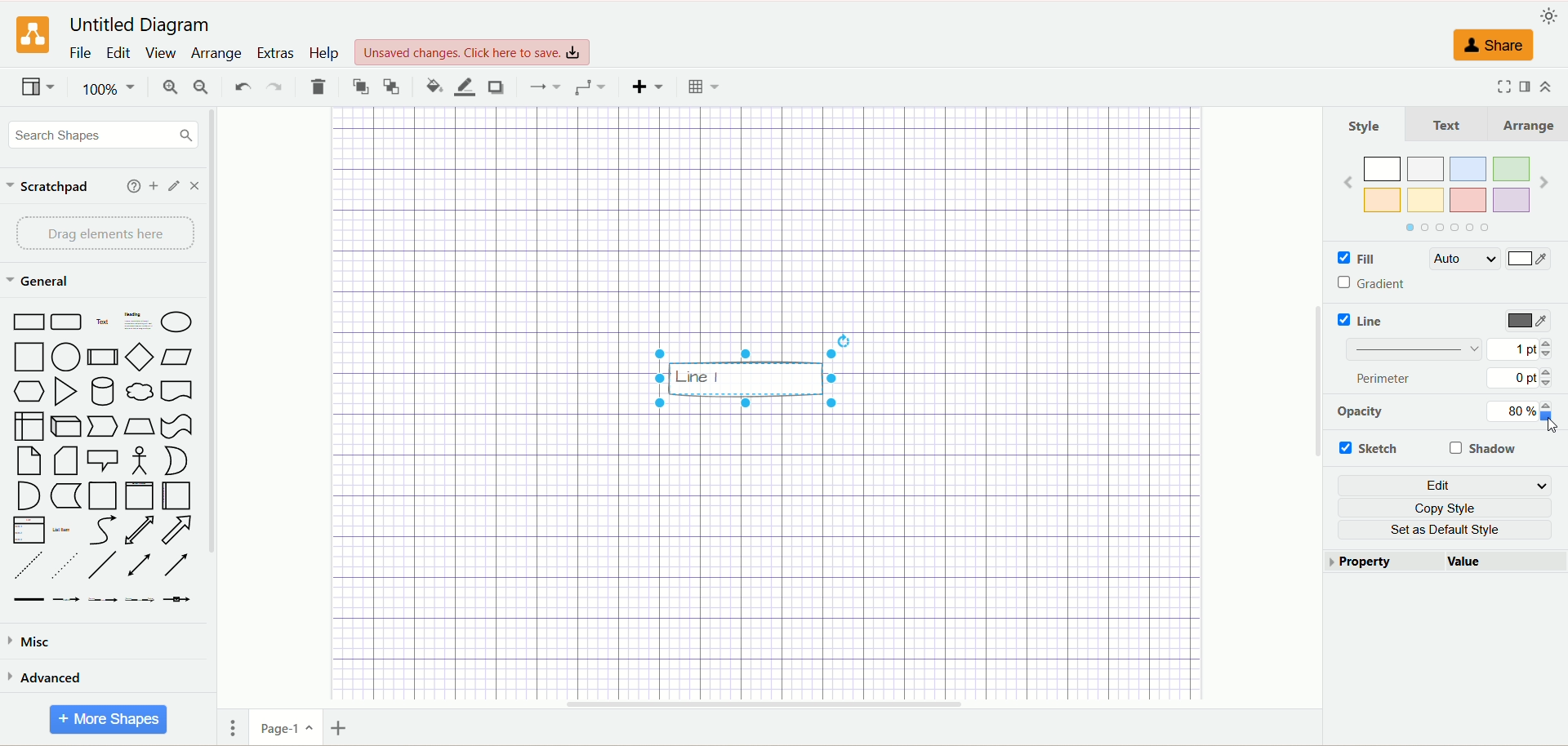 The height and width of the screenshot is (746, 1568). I want to click on Curve, so click(102, 531).